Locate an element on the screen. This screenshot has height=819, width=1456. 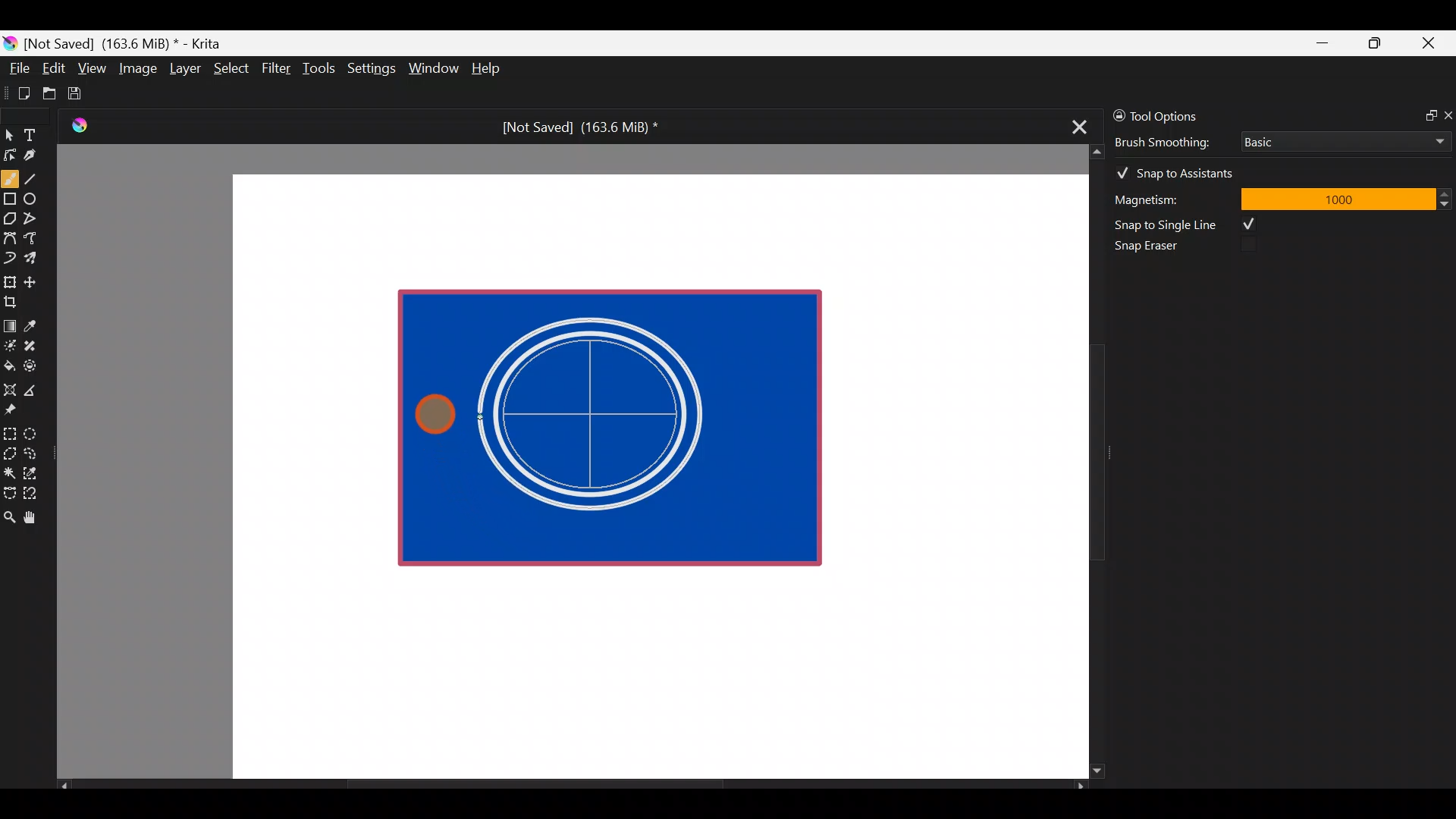
Help is located at coordinates (488, 70).